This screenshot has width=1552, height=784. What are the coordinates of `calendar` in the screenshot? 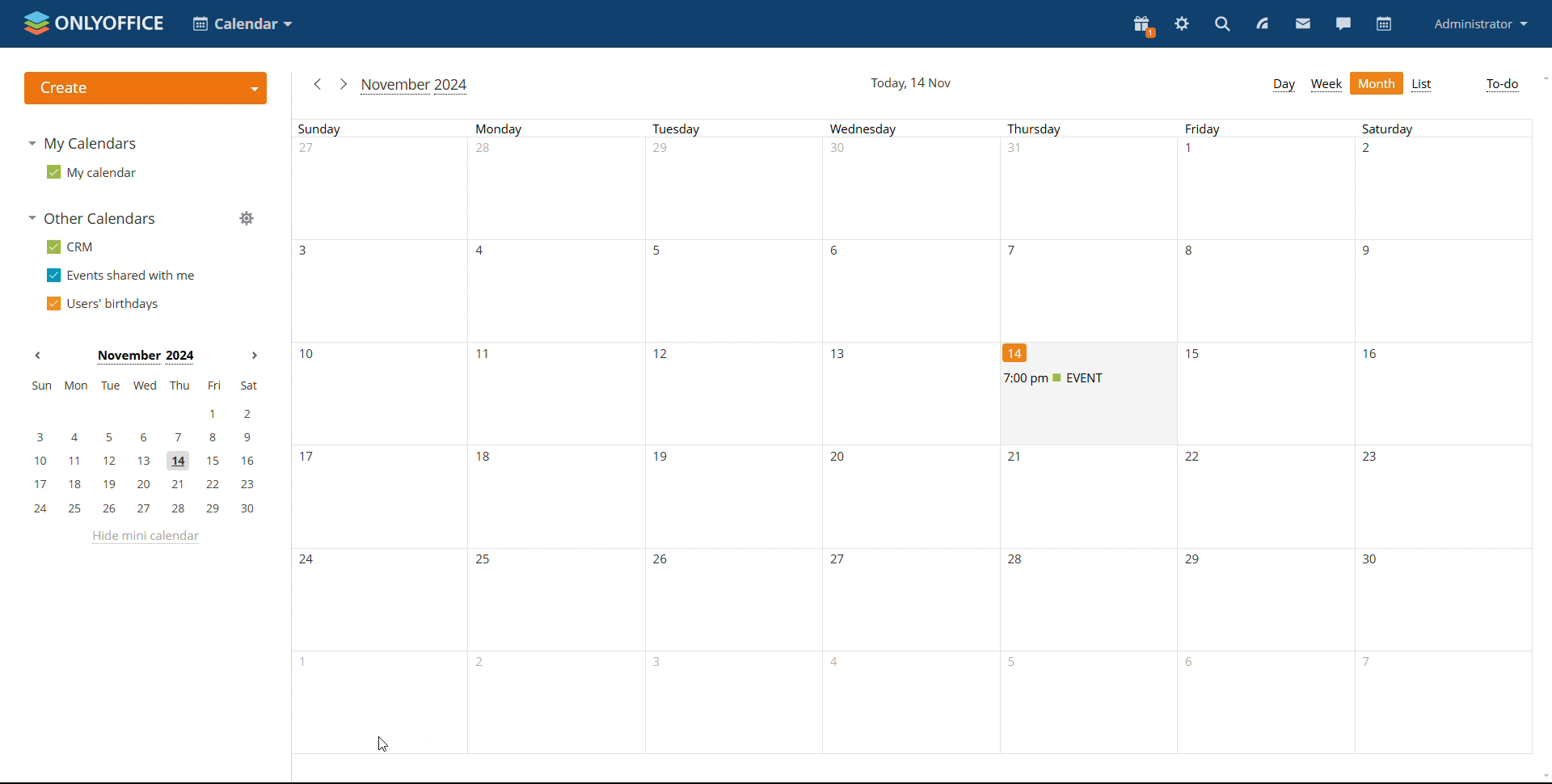 It's located at (1382, 25).